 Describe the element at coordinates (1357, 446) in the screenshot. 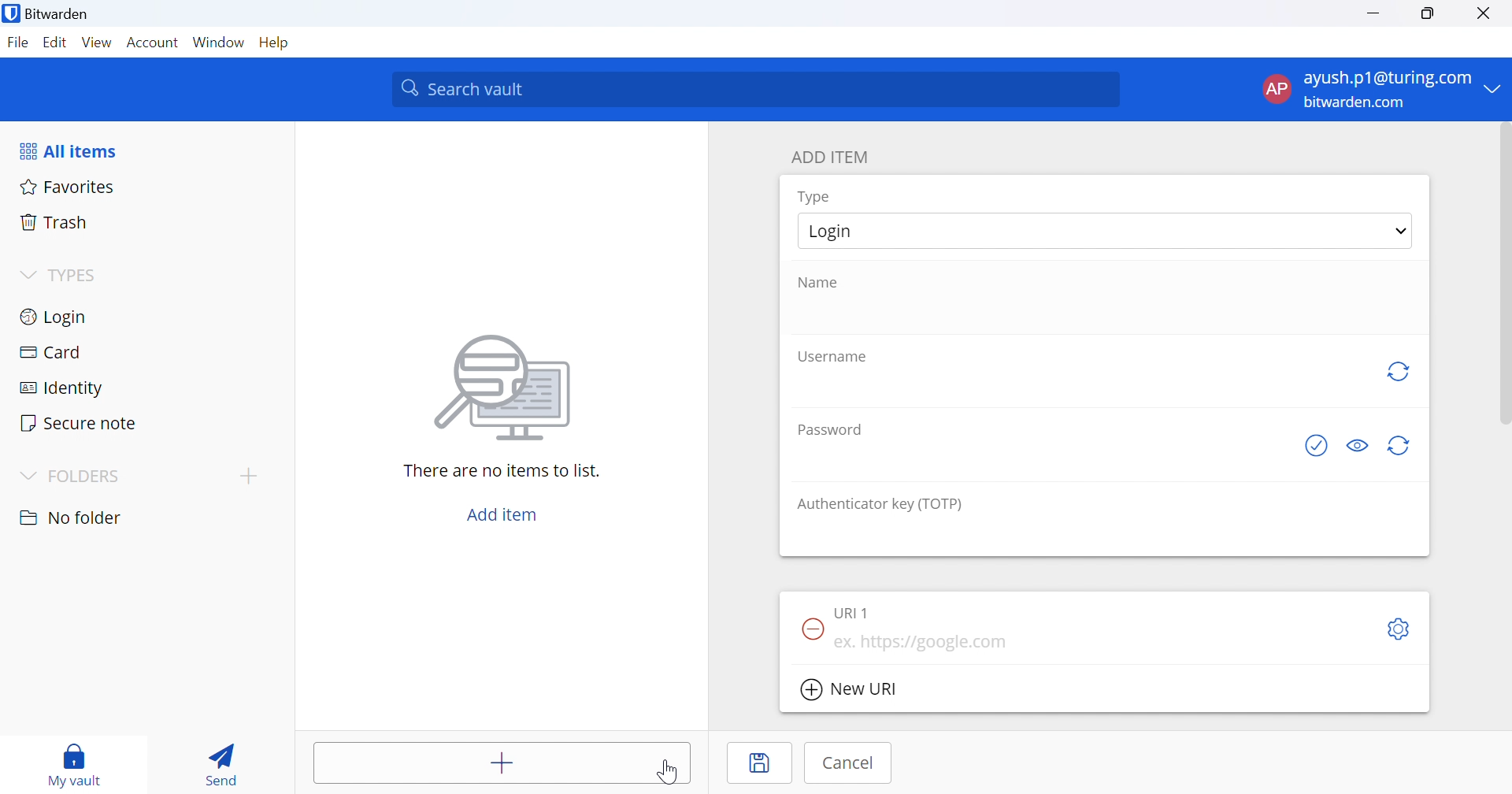

I see `Toggle visibility` at that location.